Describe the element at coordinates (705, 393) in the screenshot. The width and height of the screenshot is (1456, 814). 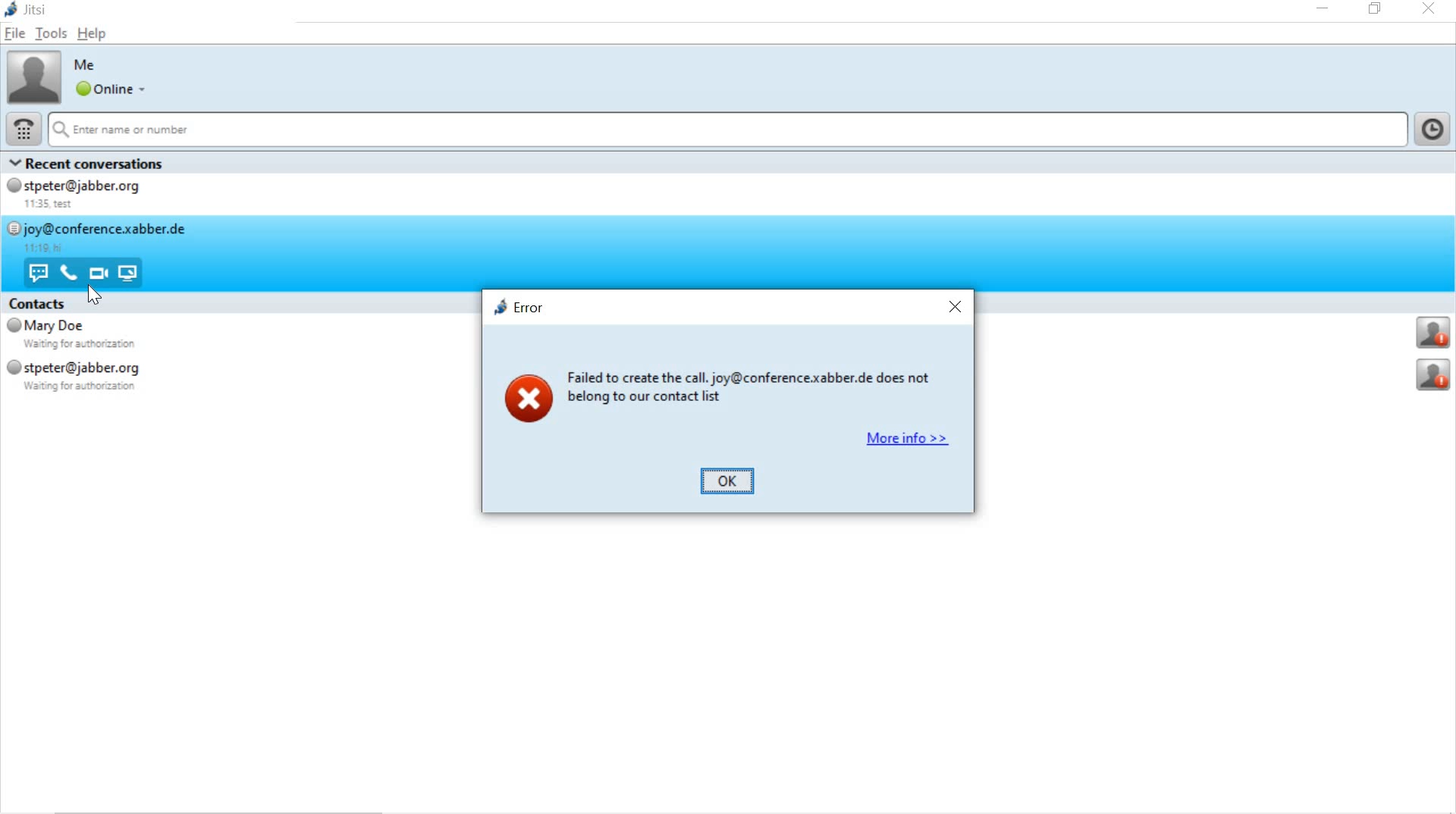
I see `error message: failed` at that location.